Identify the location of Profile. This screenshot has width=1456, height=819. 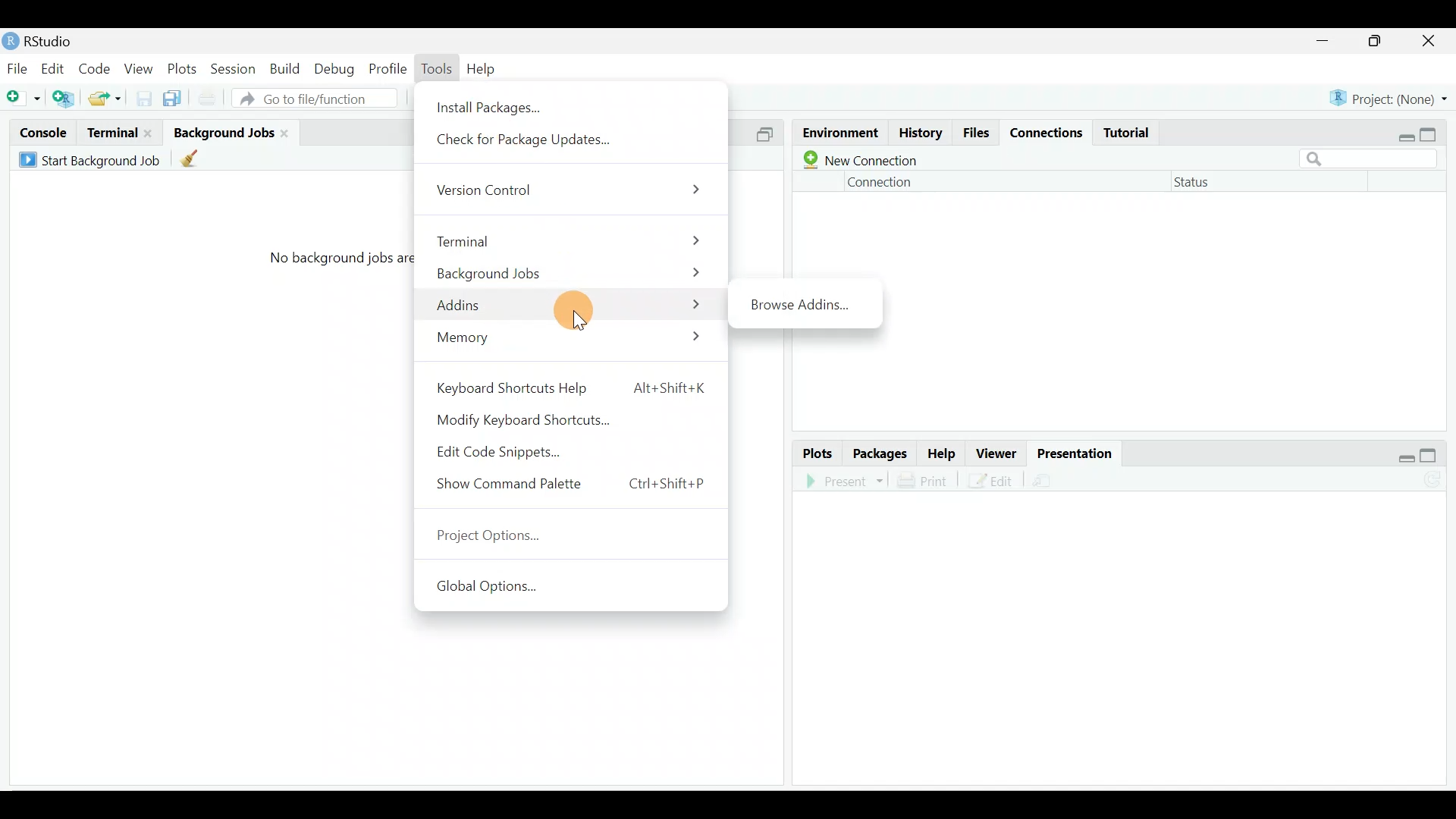
(388, 68).